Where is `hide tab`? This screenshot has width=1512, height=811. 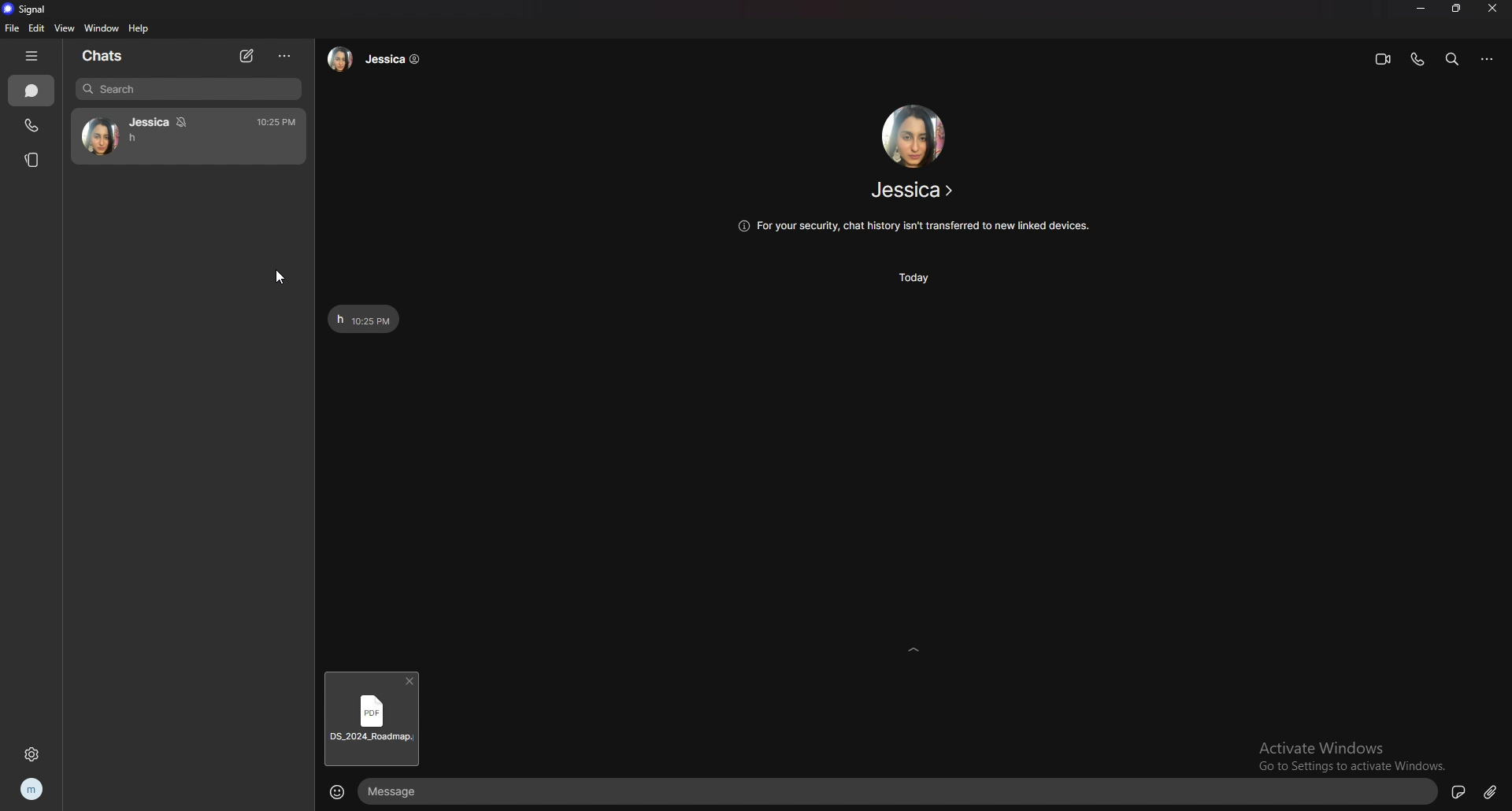
hide tab is located at coordinates (31, 54).